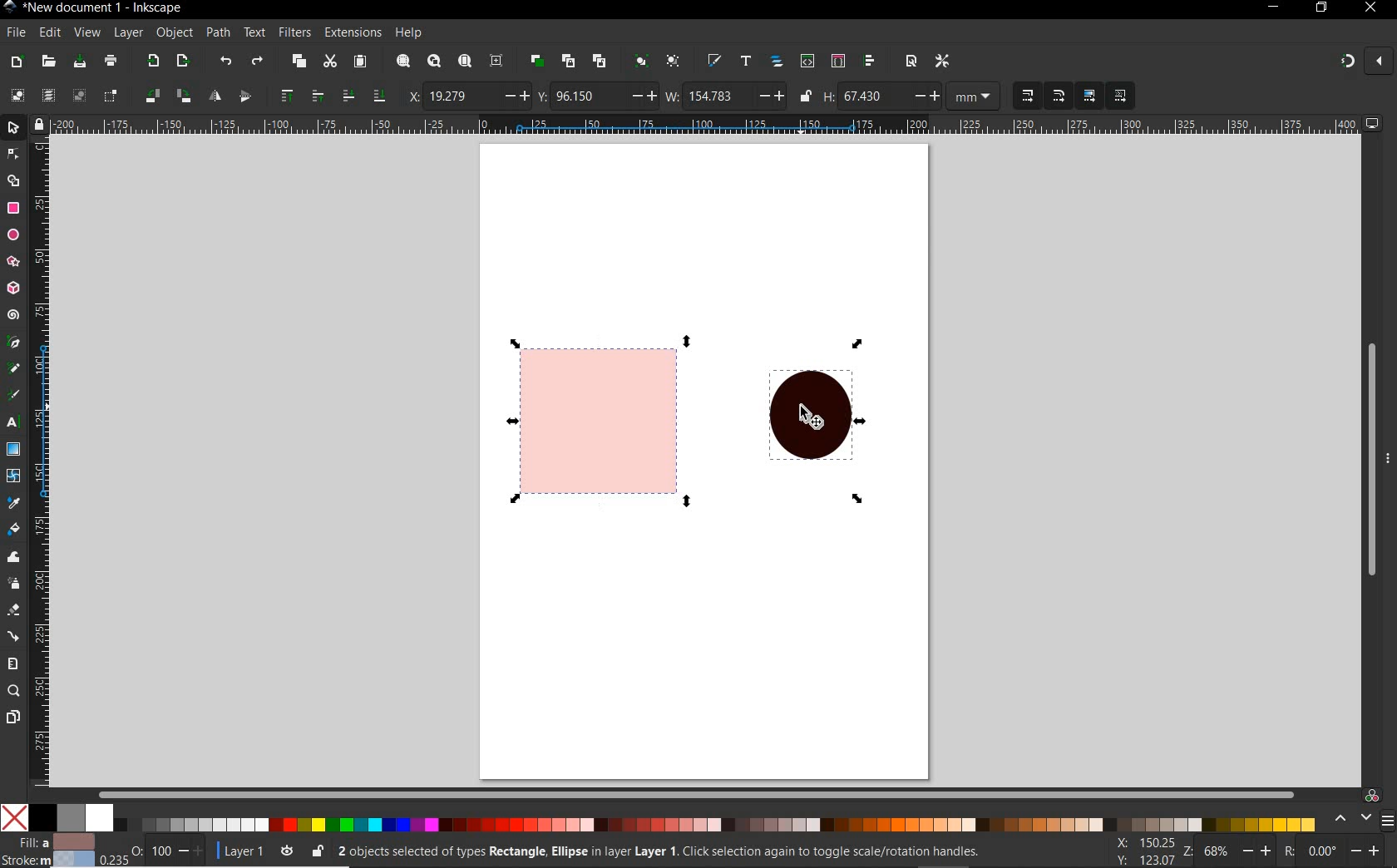 This screenshot has width=1397, height=868. What do you see at coordinates (360, 62) in the screenshot?
I see `paste` at bounding box center [360, 62].